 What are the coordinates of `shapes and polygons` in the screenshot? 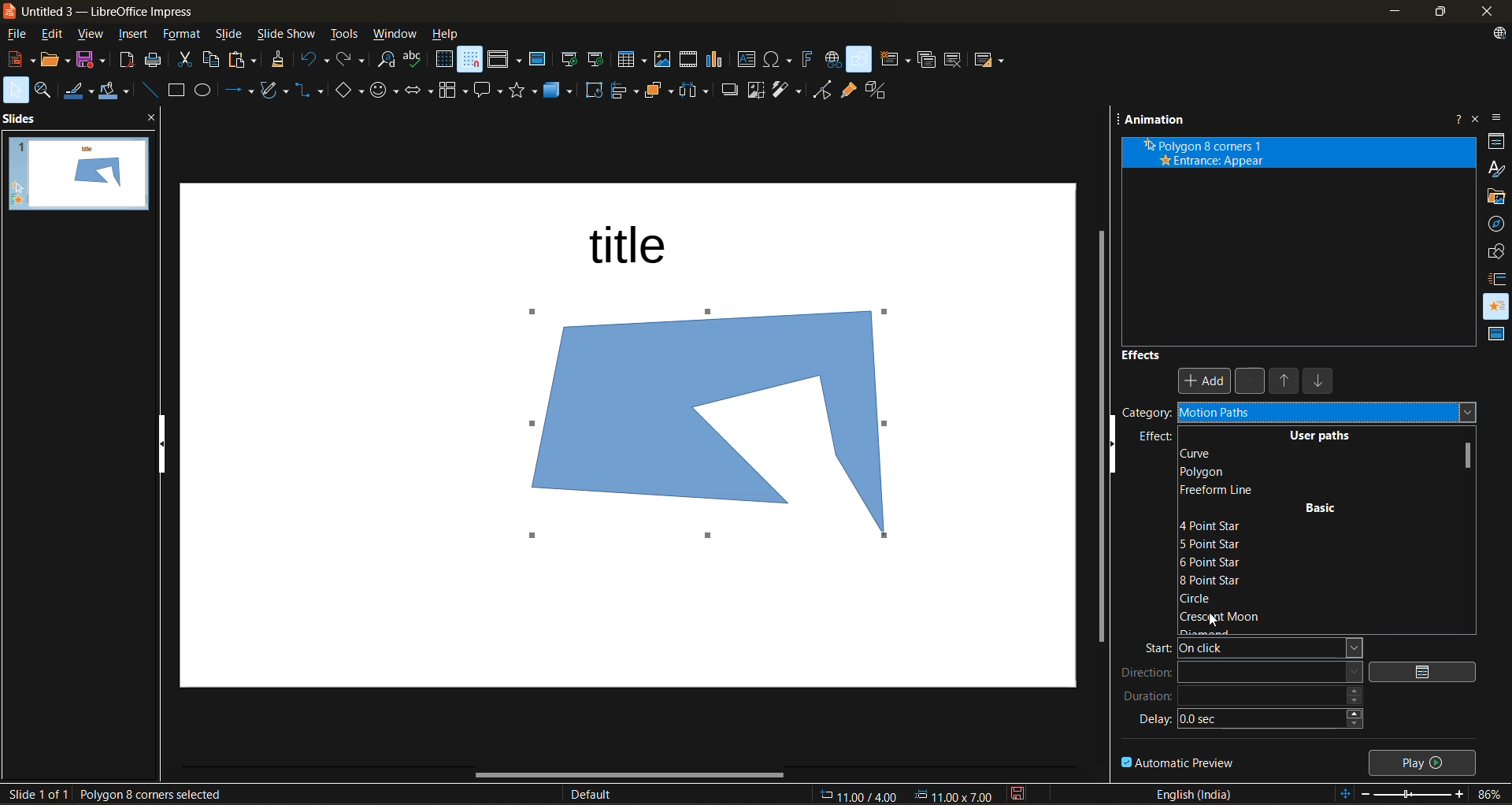 It's located at (272, 89).